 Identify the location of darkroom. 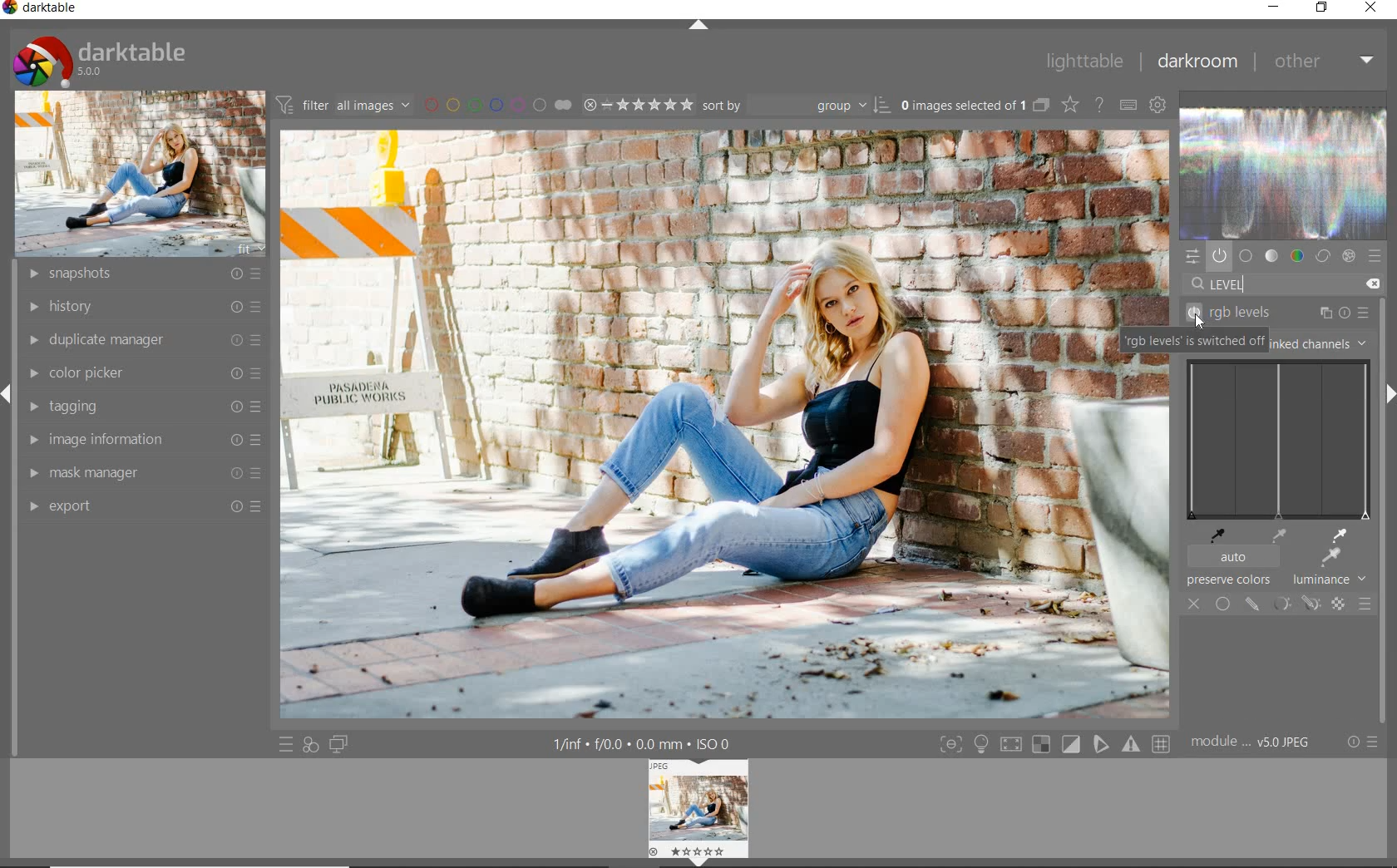
(1199, 62).